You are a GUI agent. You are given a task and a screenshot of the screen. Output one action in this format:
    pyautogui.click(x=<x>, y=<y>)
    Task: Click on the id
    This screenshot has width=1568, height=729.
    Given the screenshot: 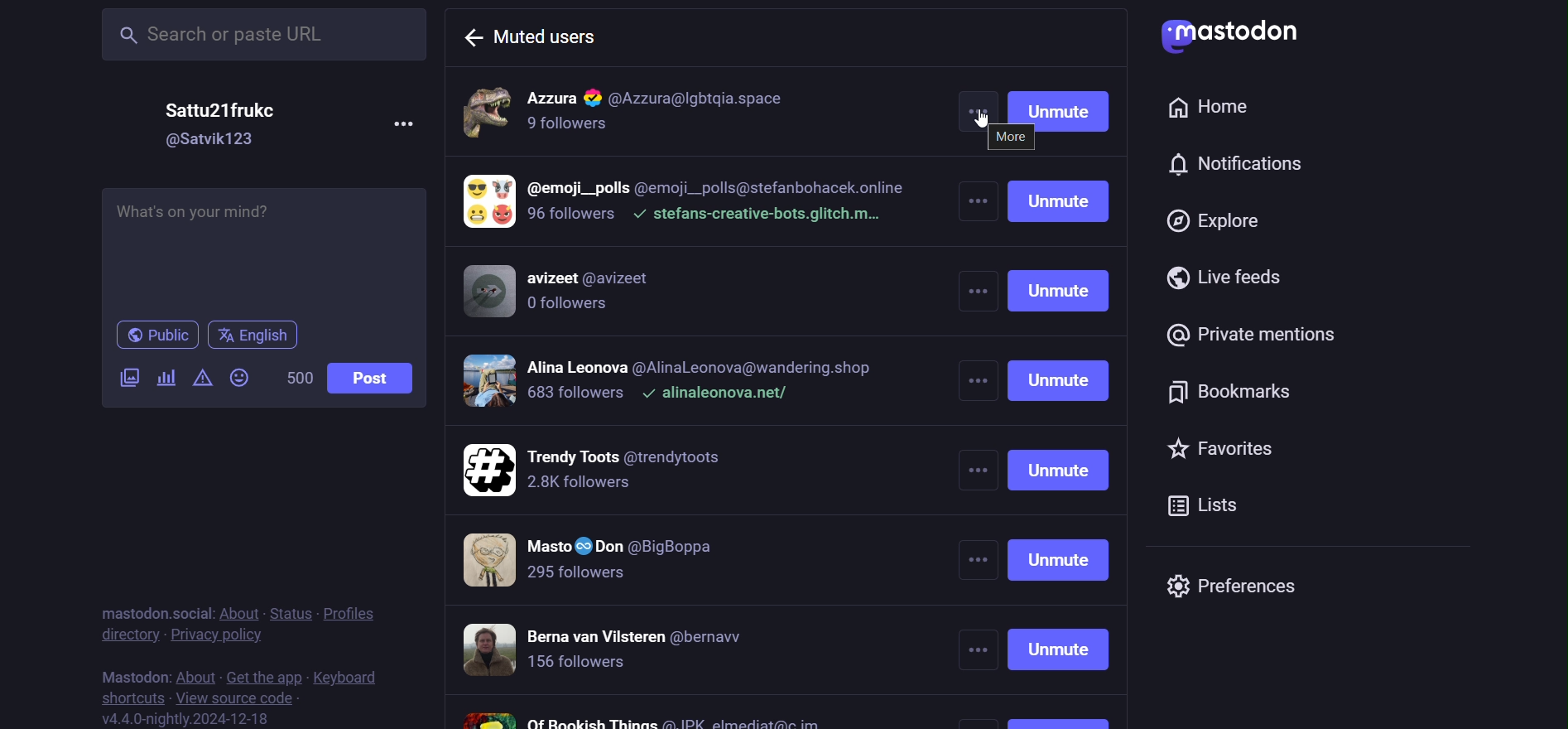 What is the action you would take?
    pyautogui.click(x=212, y=140)
    